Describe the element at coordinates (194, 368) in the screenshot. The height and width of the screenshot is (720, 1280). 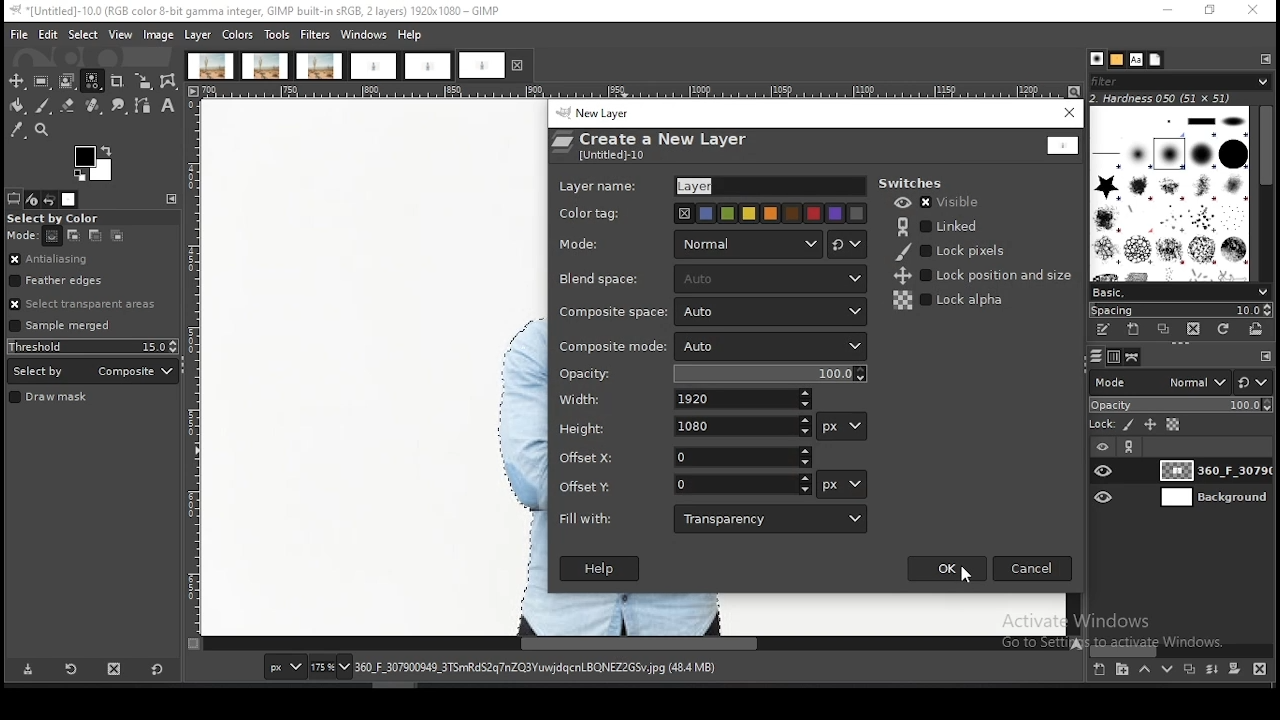
I see `scale` at that location.